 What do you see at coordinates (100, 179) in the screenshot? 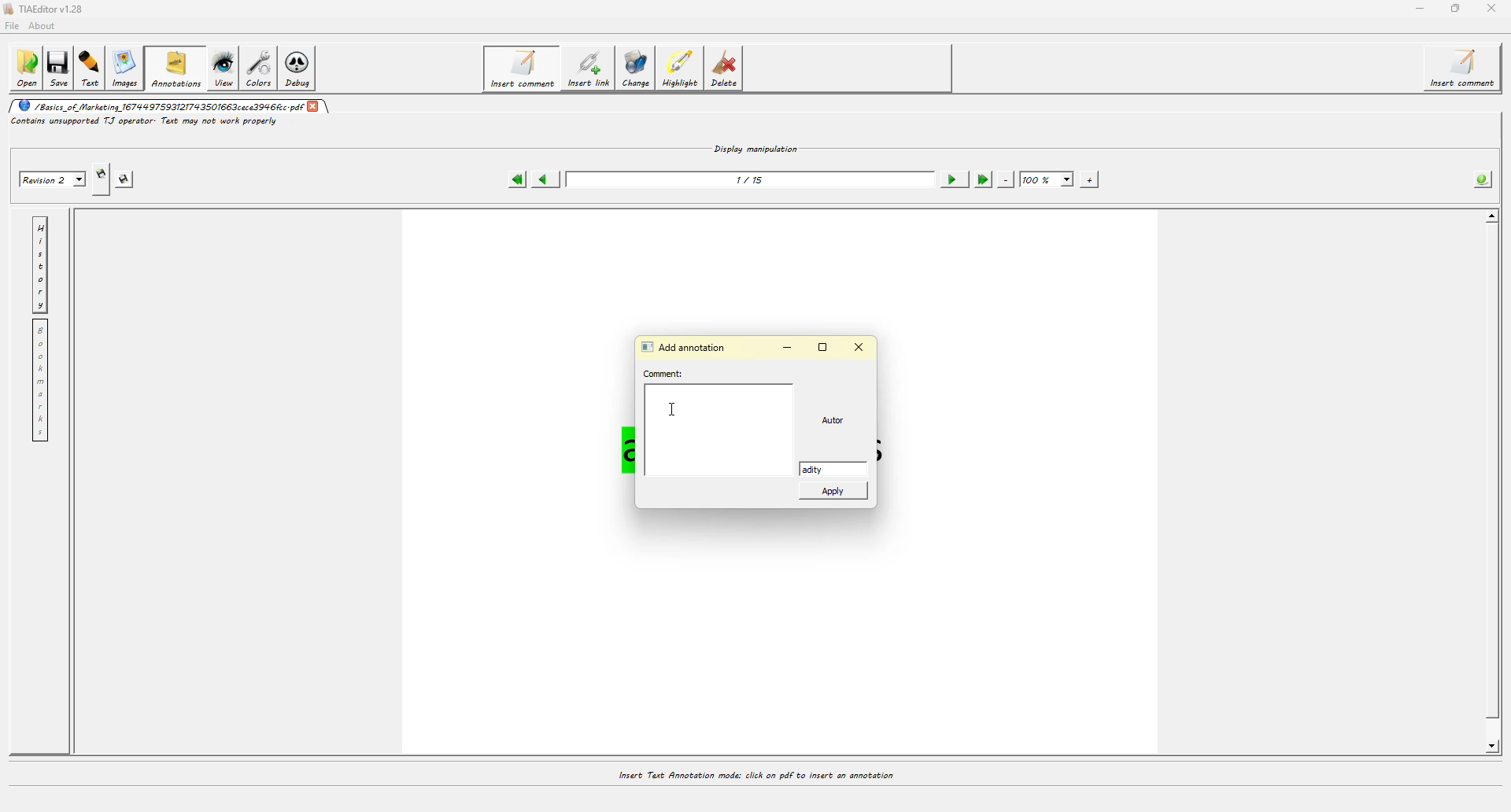
I see `creates new revision` at bounding box center [100, 179].